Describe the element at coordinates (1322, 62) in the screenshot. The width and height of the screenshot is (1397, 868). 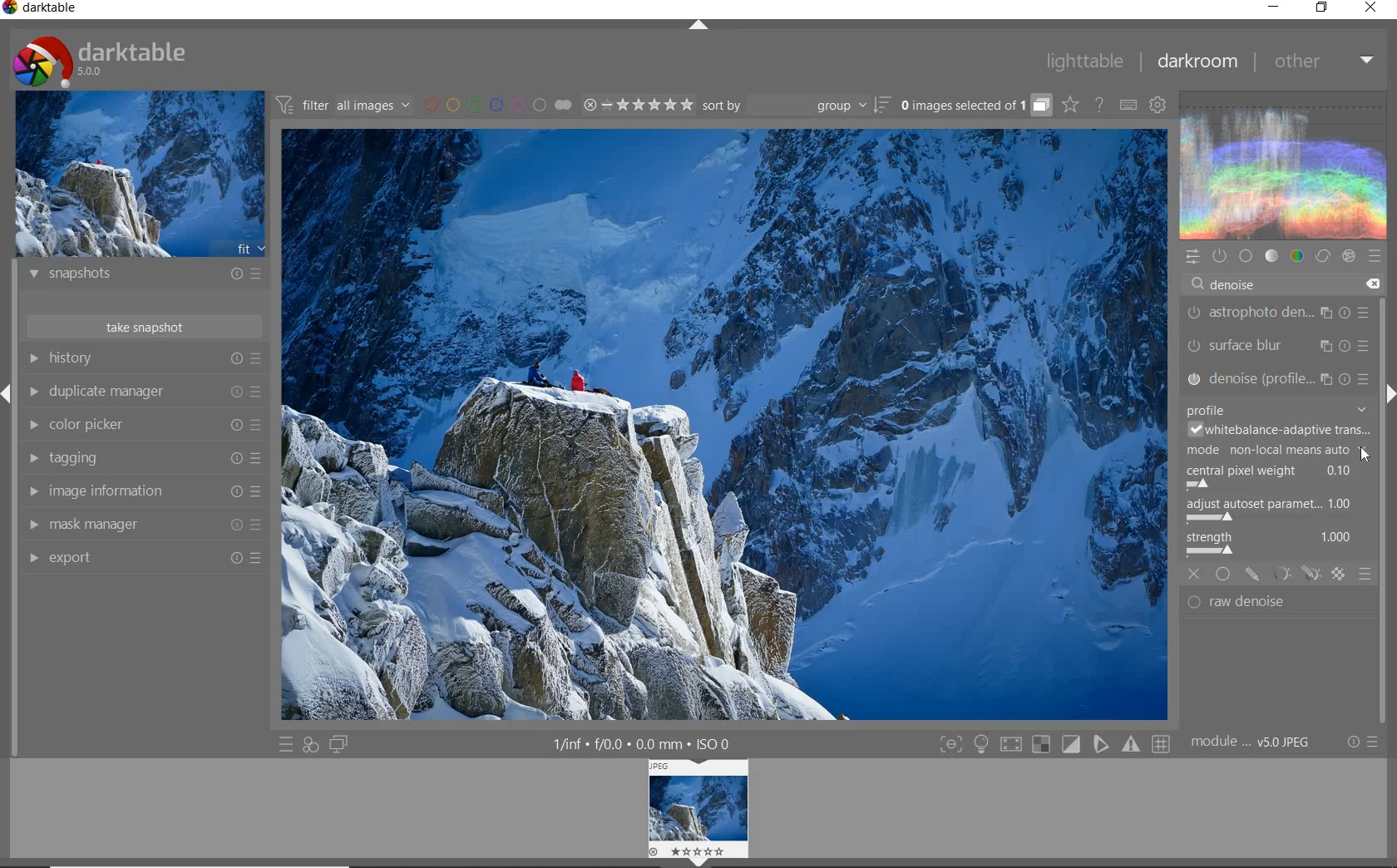
I see `other` at that location.